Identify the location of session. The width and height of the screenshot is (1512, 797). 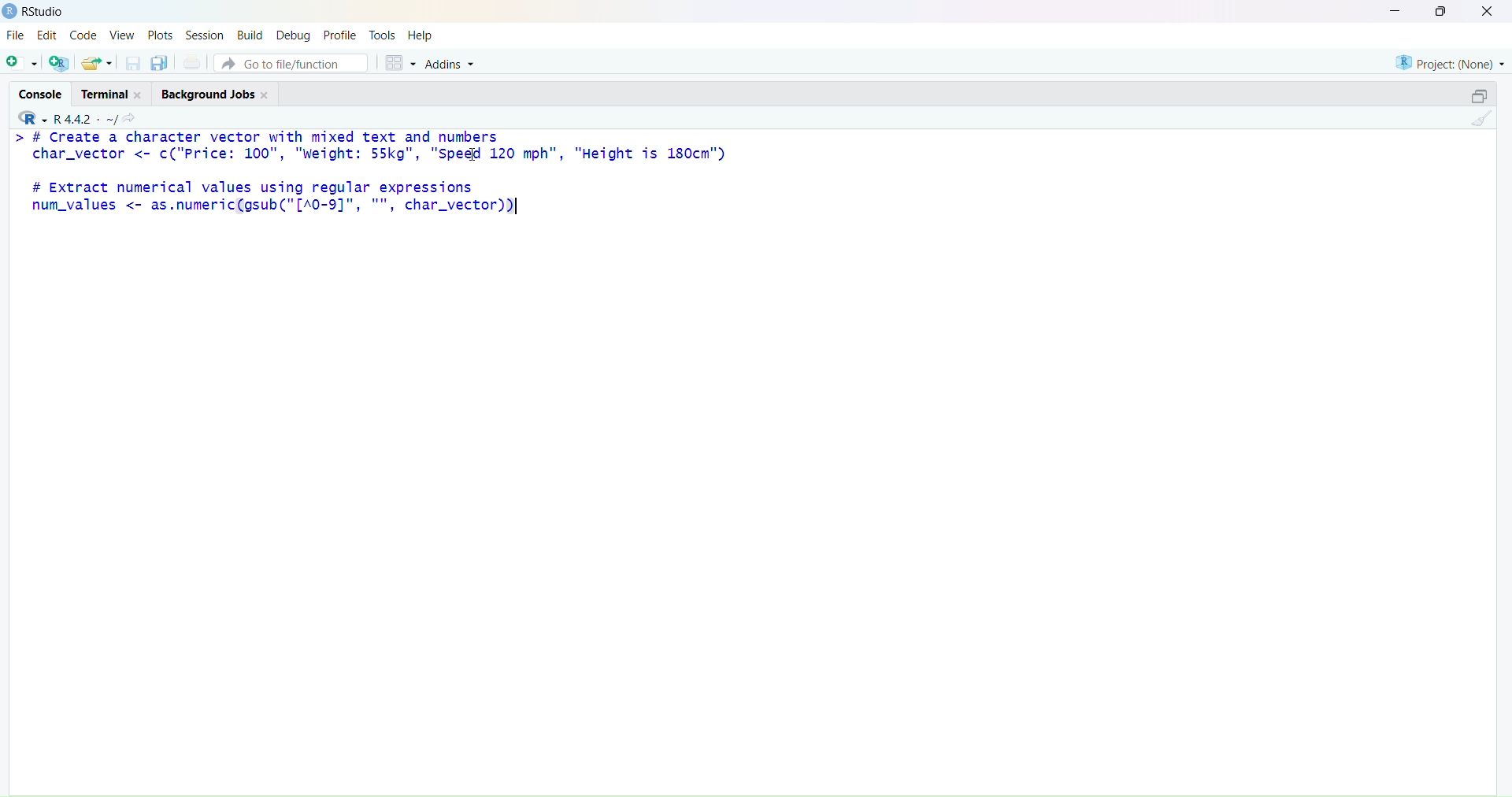
(206, 36).